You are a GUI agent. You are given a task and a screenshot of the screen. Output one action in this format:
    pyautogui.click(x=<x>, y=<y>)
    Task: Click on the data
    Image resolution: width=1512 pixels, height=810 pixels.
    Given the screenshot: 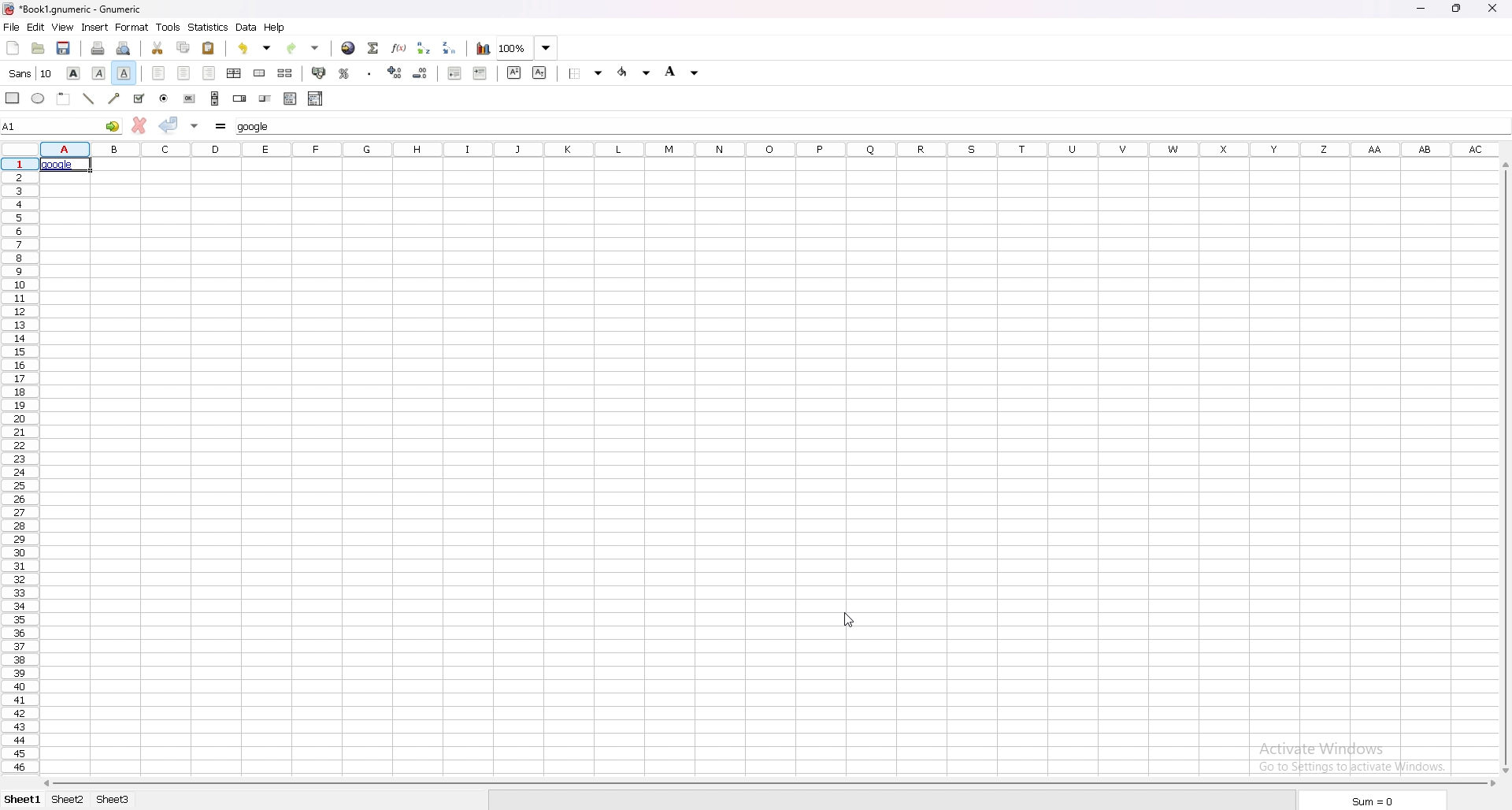 What is the action you would take?
    pyautogui.click(x=246, y=27)
    